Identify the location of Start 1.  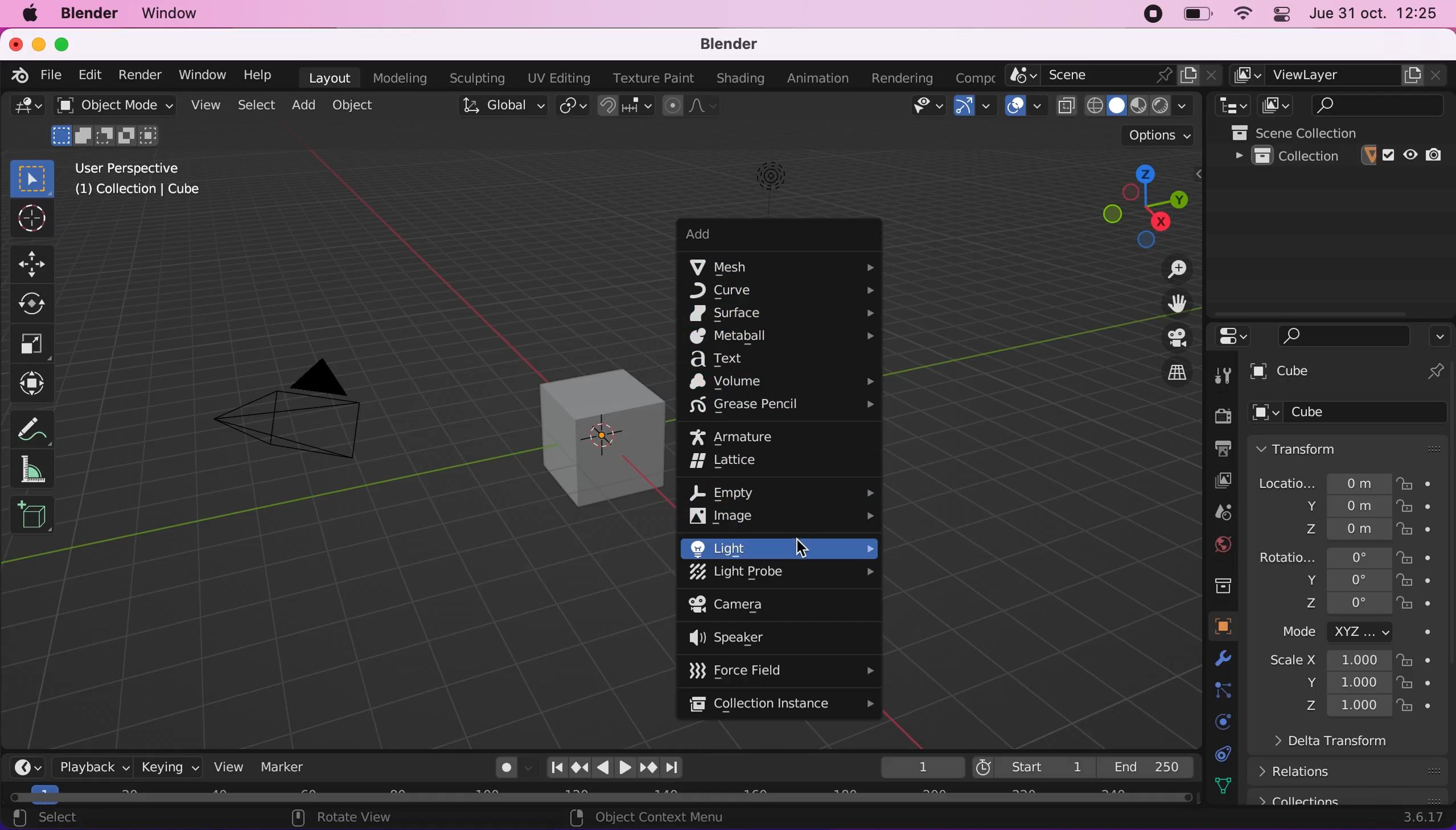
(1032, 765).